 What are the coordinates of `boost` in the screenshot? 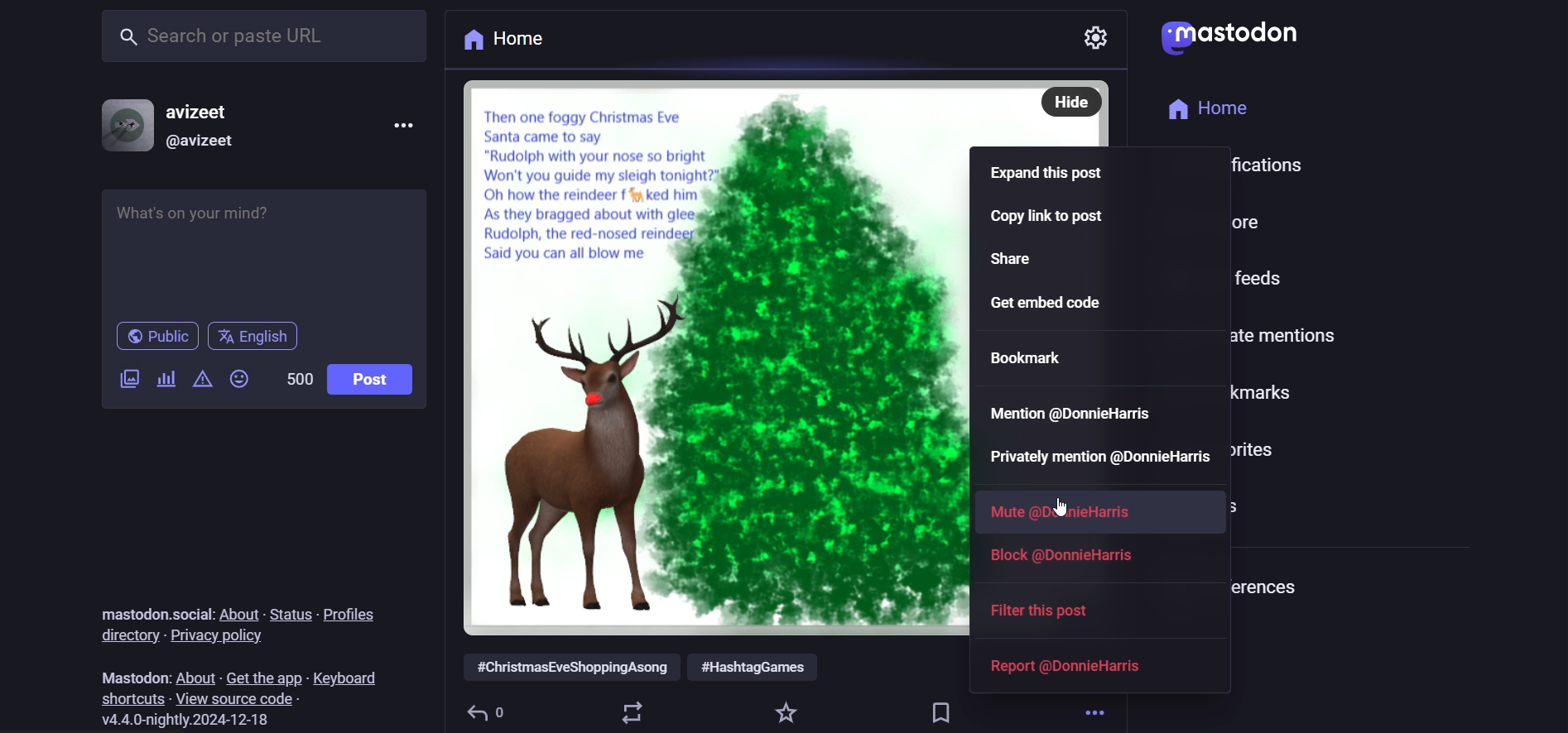 It's located at (633, 711).